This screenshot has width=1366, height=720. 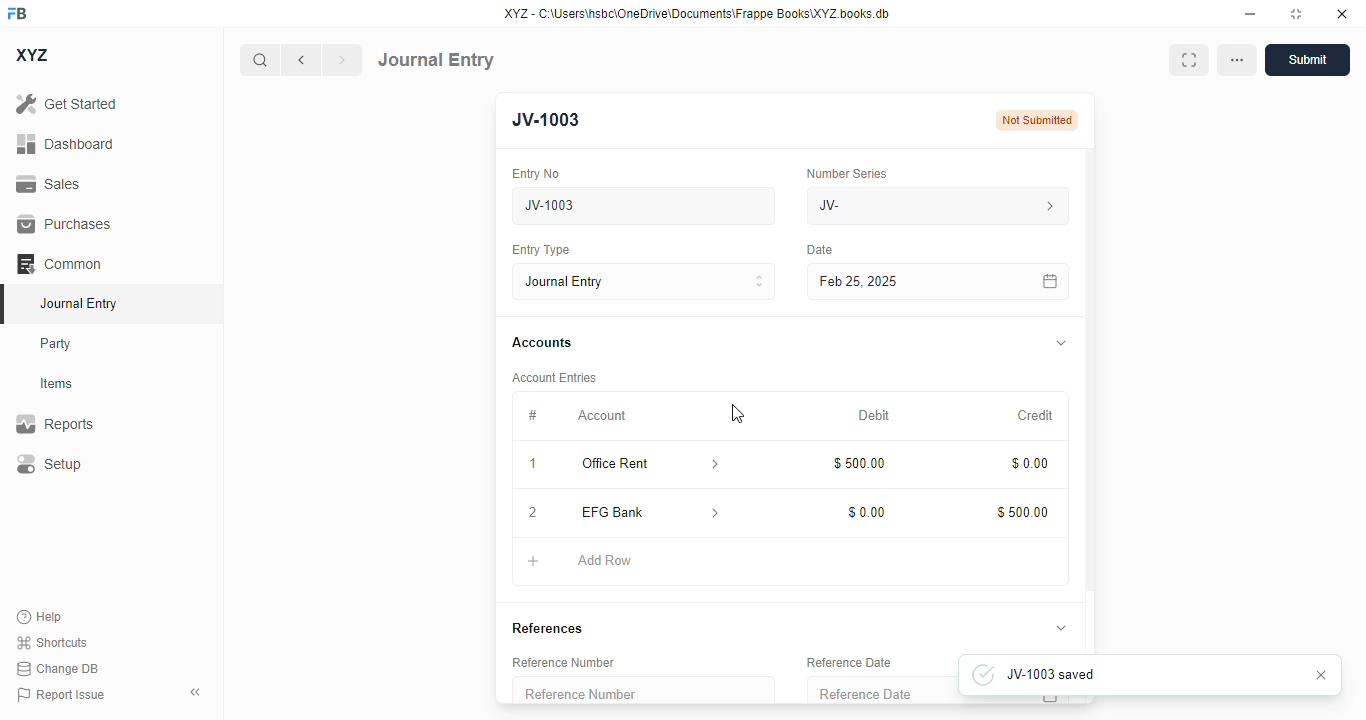 What do you see at coordinates (539, 249) in the screenshot?
I see `entry type` at bounding box center [539, 249].